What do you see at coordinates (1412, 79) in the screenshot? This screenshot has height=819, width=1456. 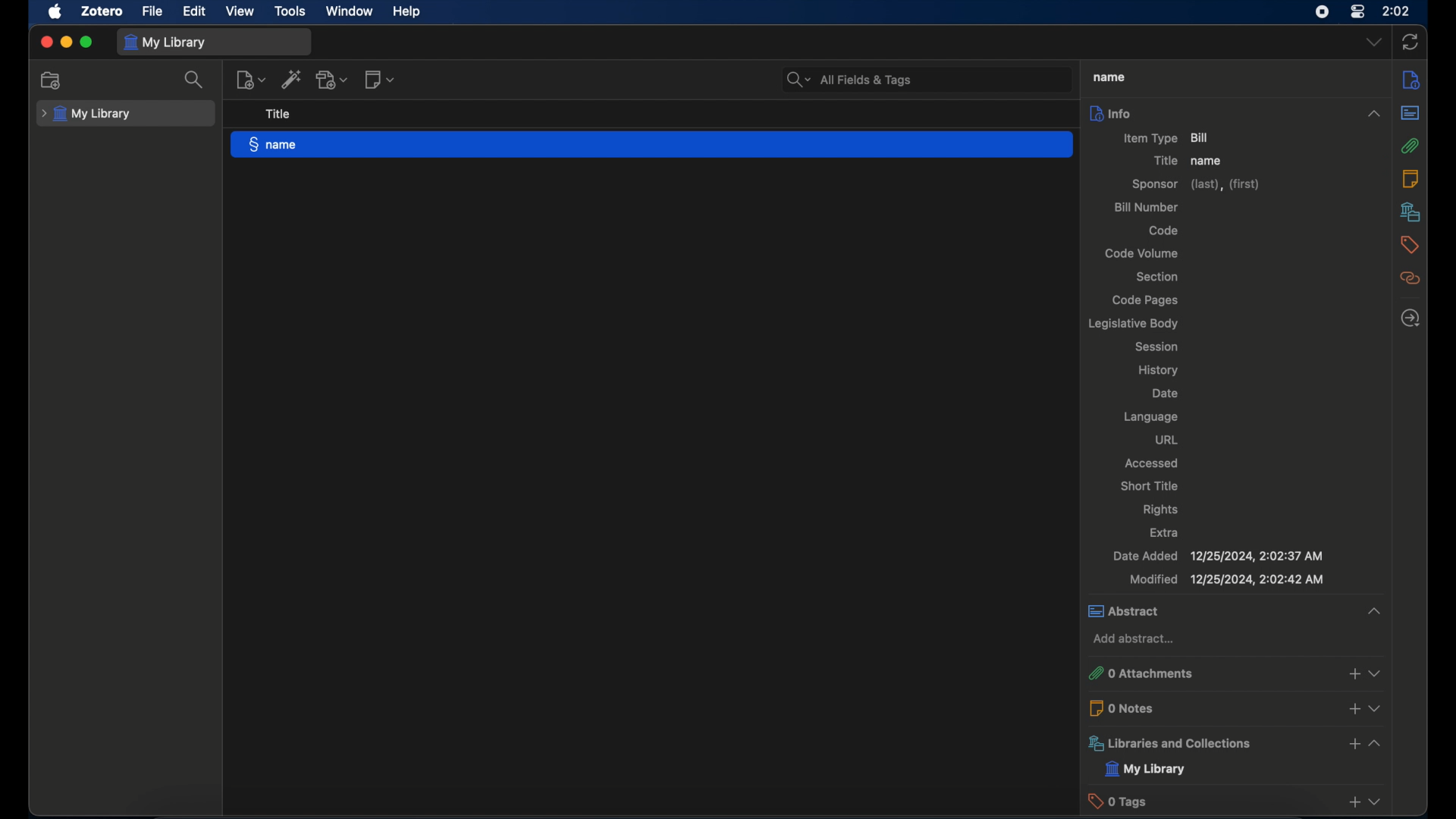 I see `info` at bounding box center [1412, 79].